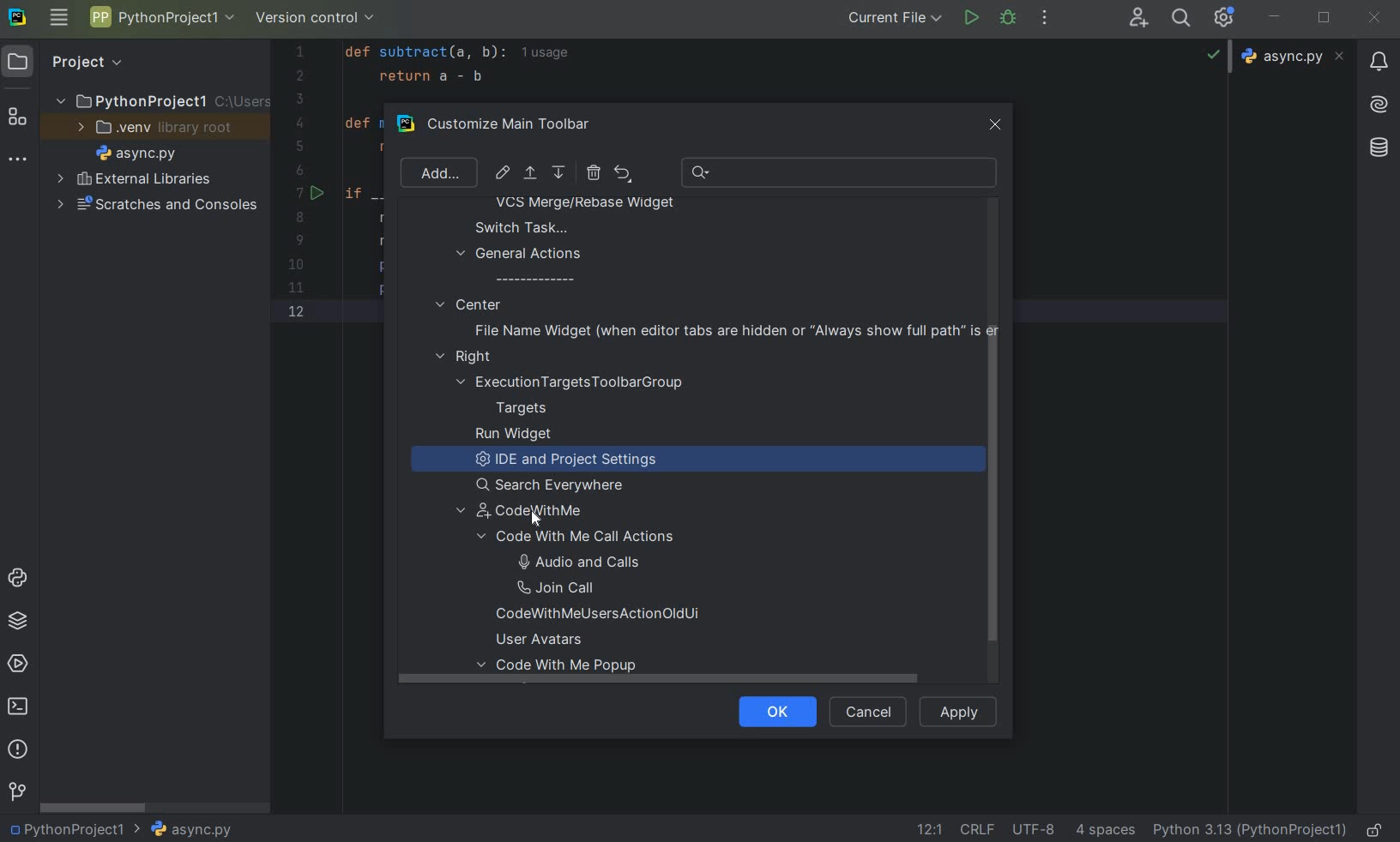 The image size is (1400, 842). Describe the element at coordinates (533, 408) in the screenshot. I see `targets` at that location.